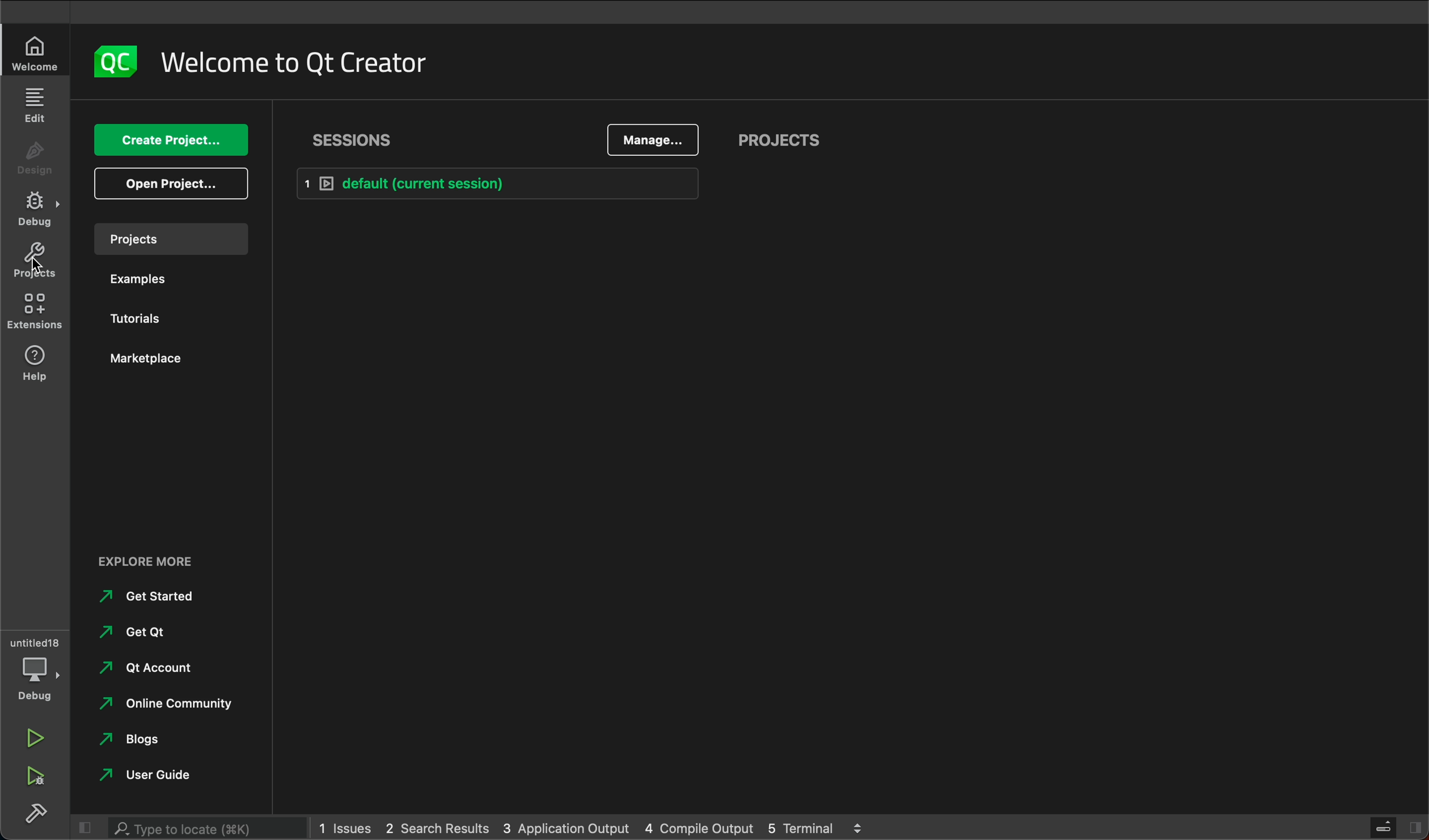 This screenshot has width=1429, height=840. What do you see at coordinates (132, 737) in the screenshot?
I see `Blogs` at bounding box center [132, 737].